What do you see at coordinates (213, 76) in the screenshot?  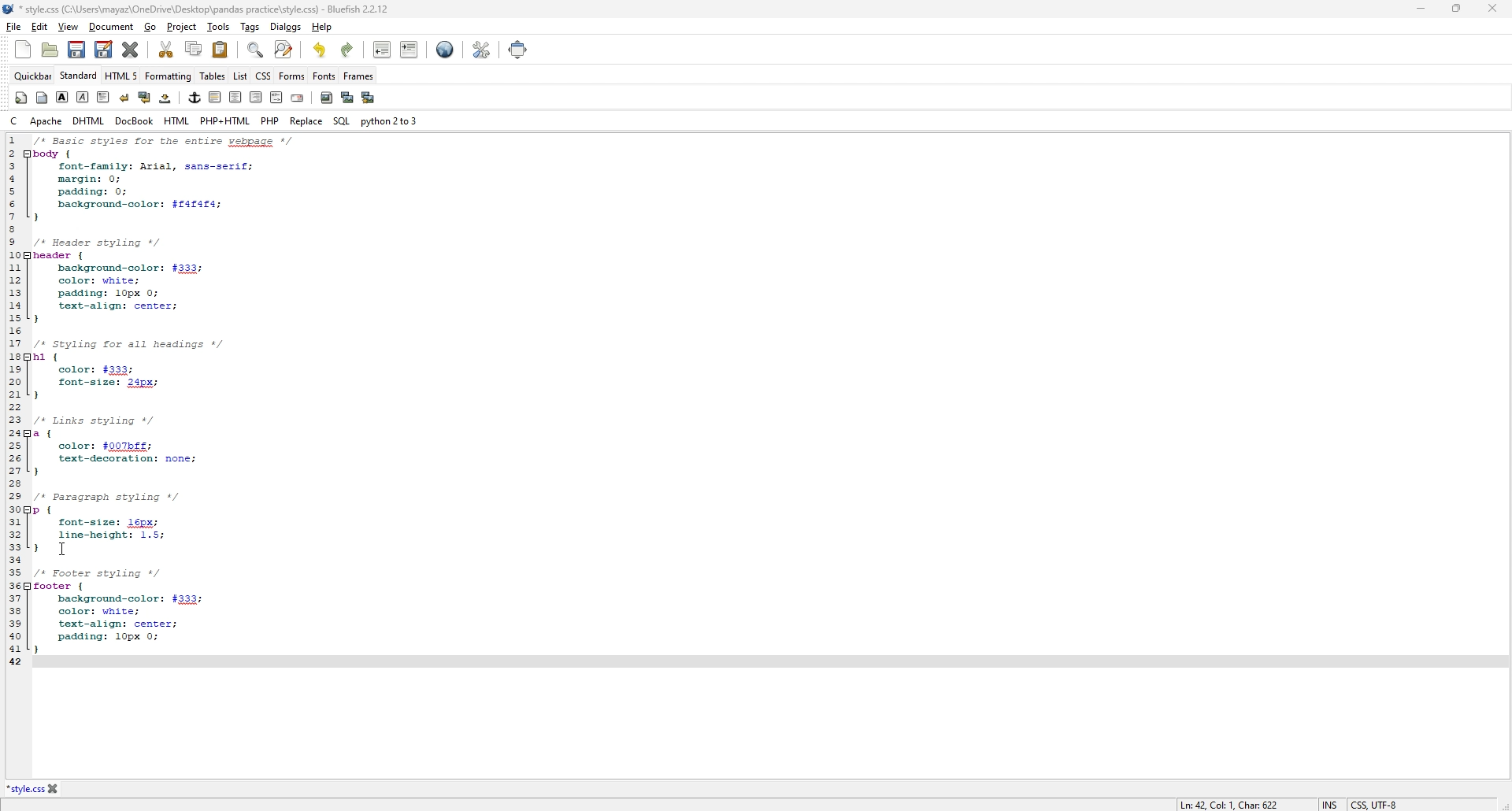 I see `tables` at bounding box center [213, 76].